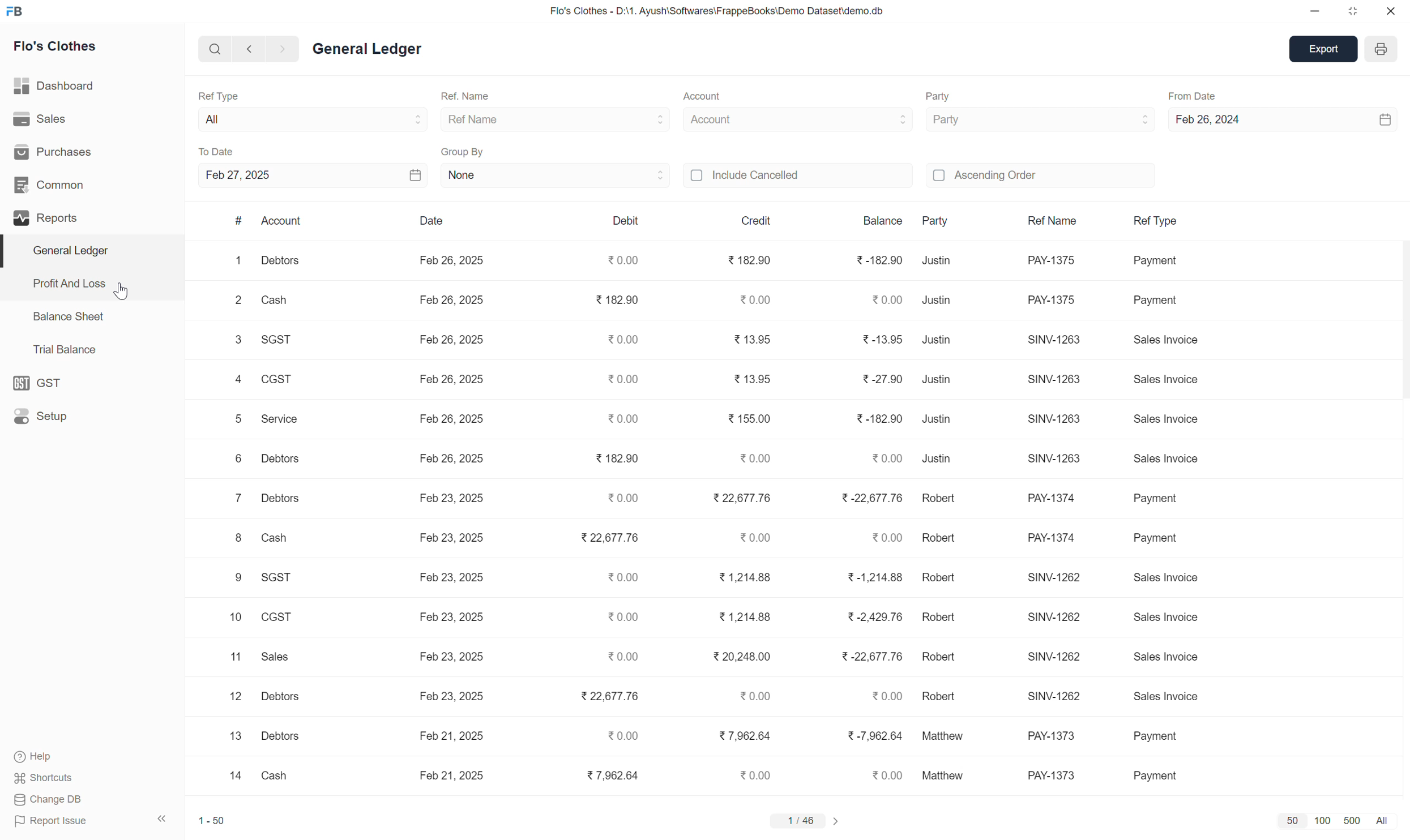 This screenshot has width=1410, height=840. What do you see at coordinates (746, 260) in the screenshot?
I see `₹182.90` at bounding box center [746, 260].